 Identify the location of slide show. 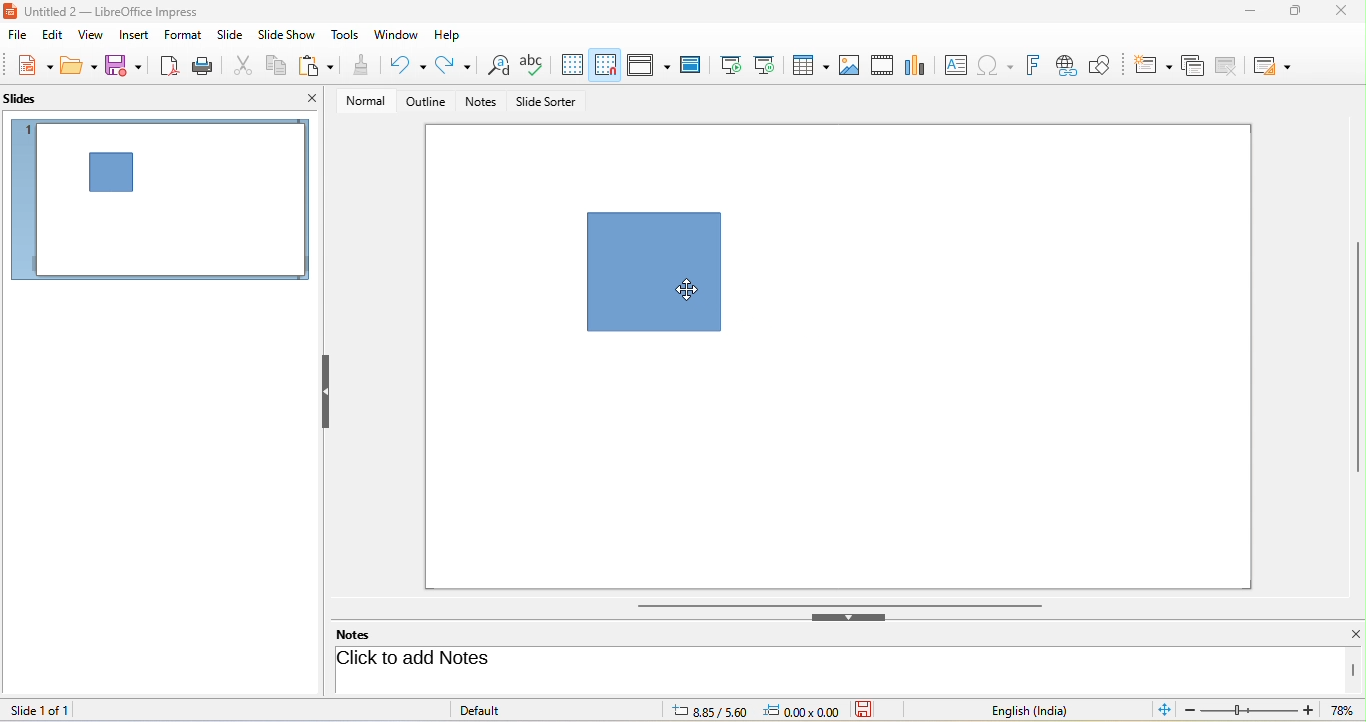
(290, 35).